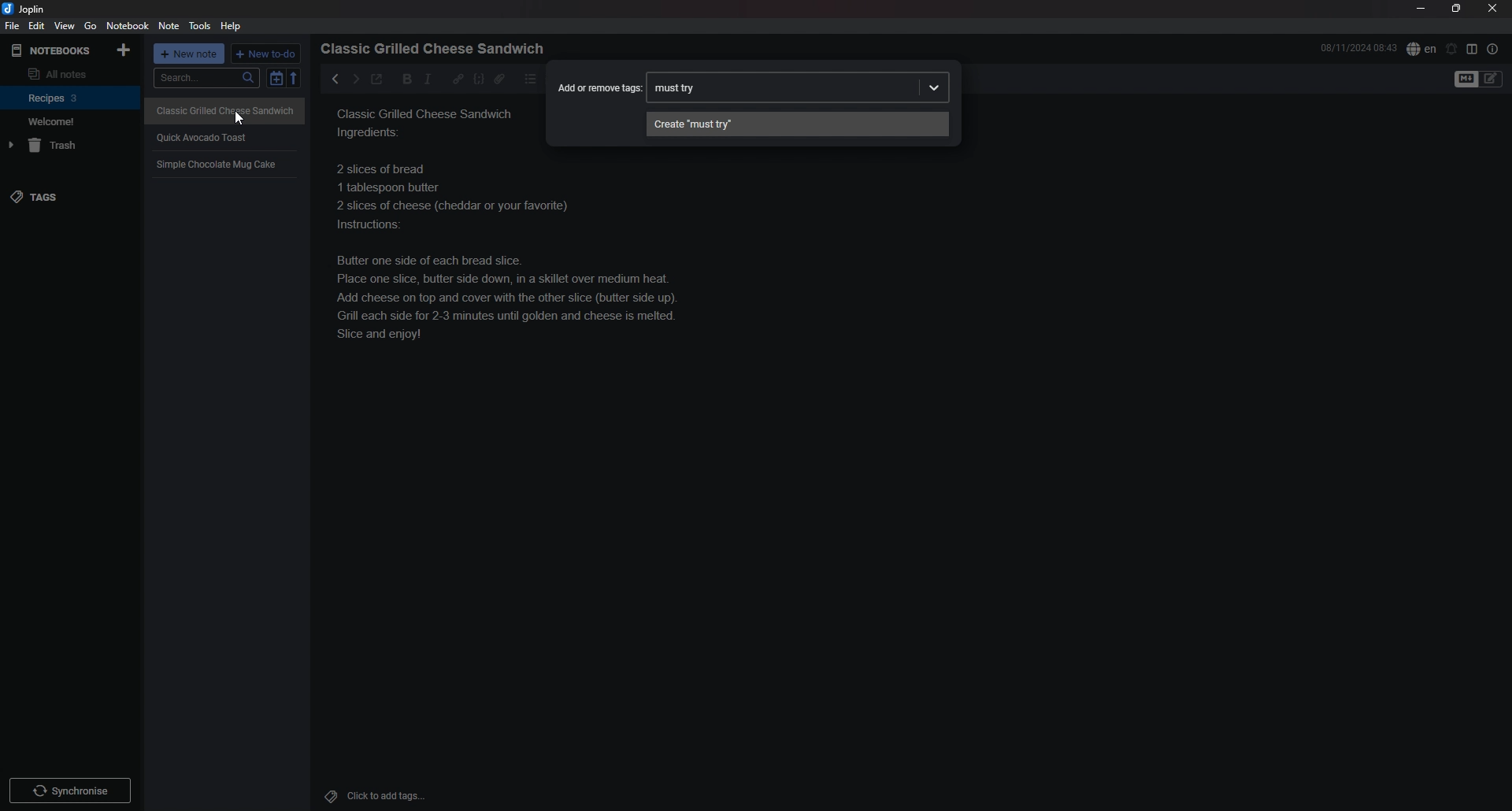 Image resolution: width=1512 pixels, height=811 pixels. Describe the element at coordinates (396, 795) in the screenshot. I see `click to add tags` at that location.